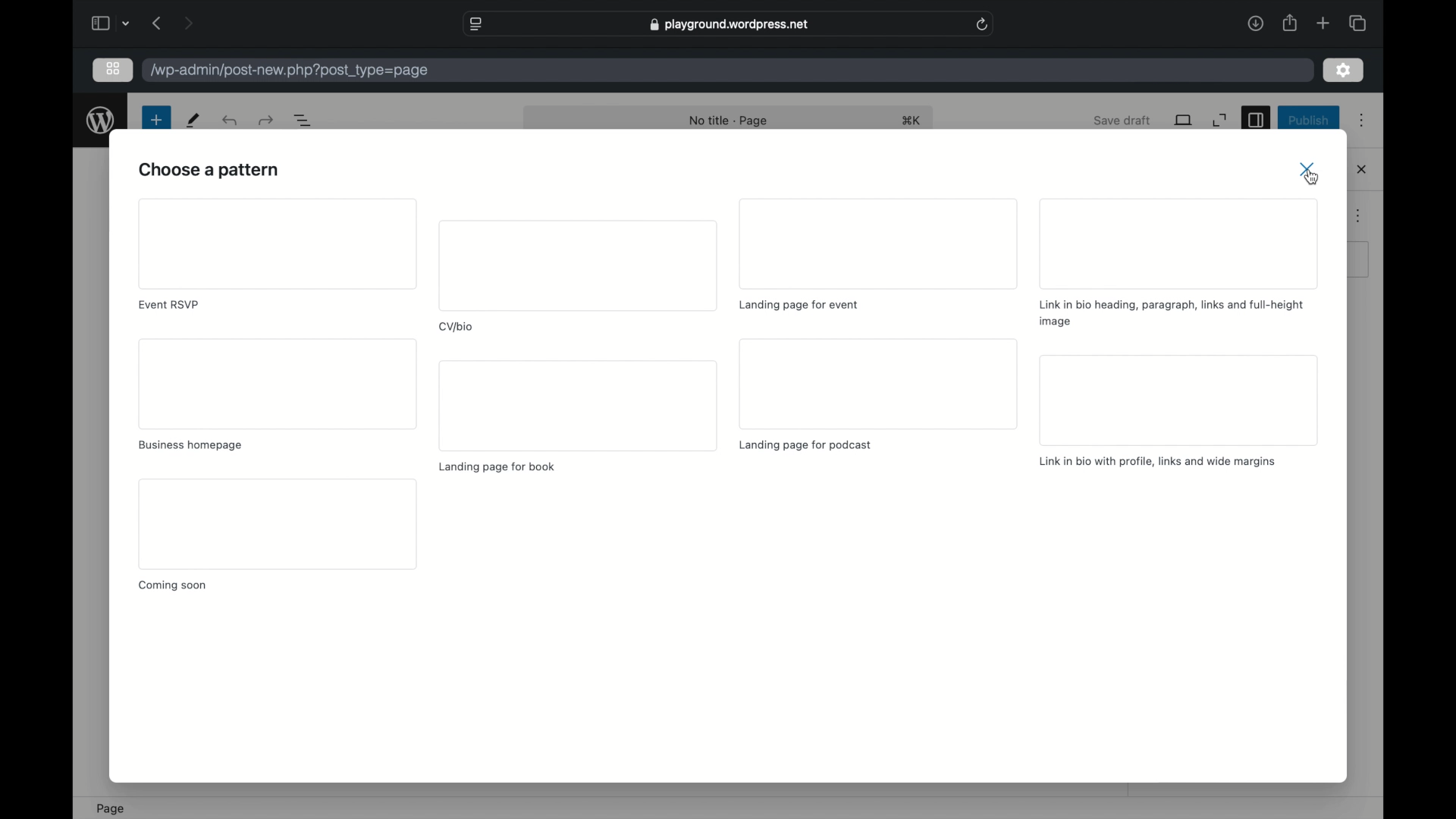  What do you see at coordinates (1122, 120) in the screenshot?
I see `save draft` at bounding box center [1122, 120].